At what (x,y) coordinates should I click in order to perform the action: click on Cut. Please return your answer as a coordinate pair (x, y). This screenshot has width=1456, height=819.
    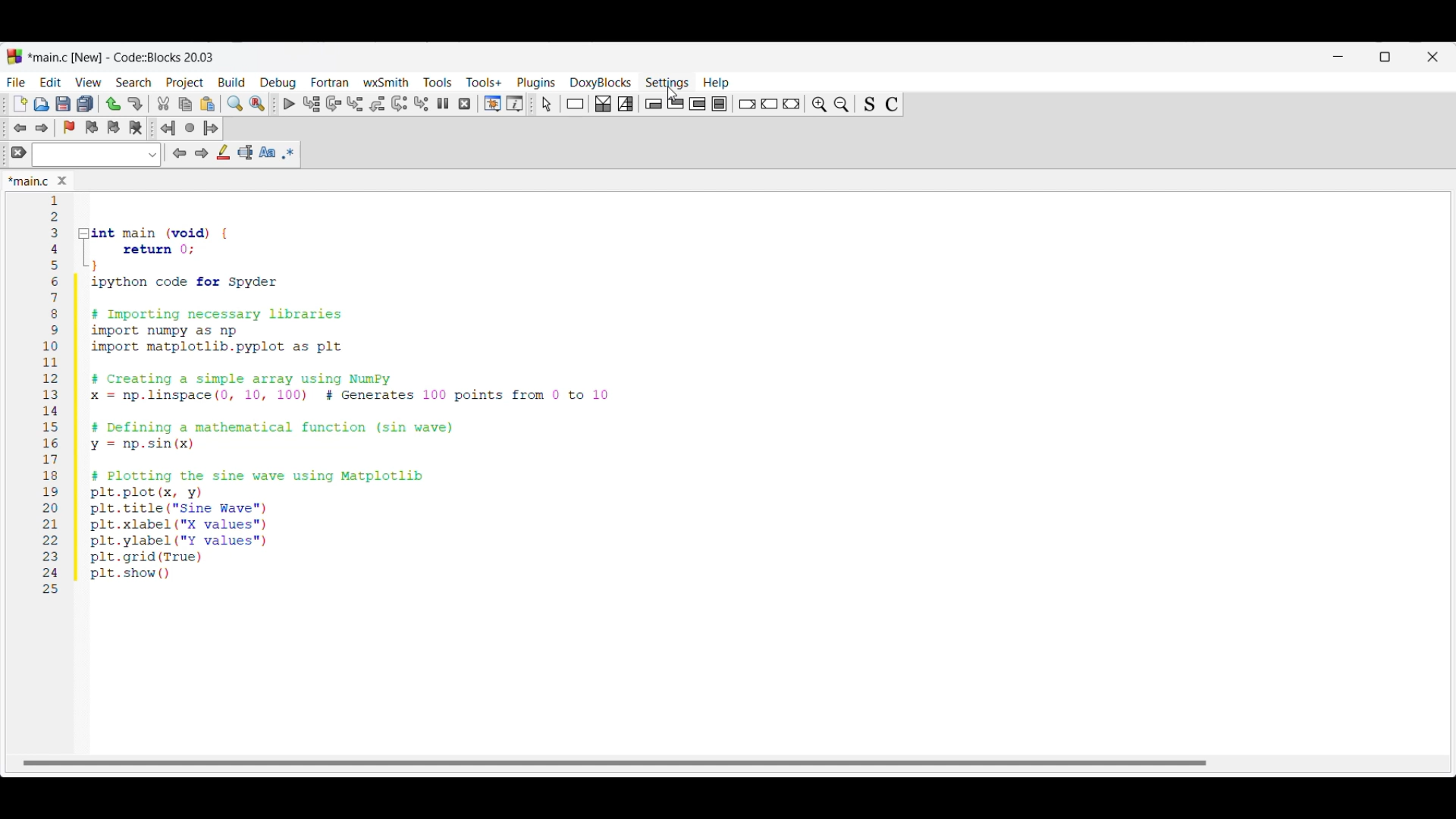
    Looking at the image, I should click on (164, 103).